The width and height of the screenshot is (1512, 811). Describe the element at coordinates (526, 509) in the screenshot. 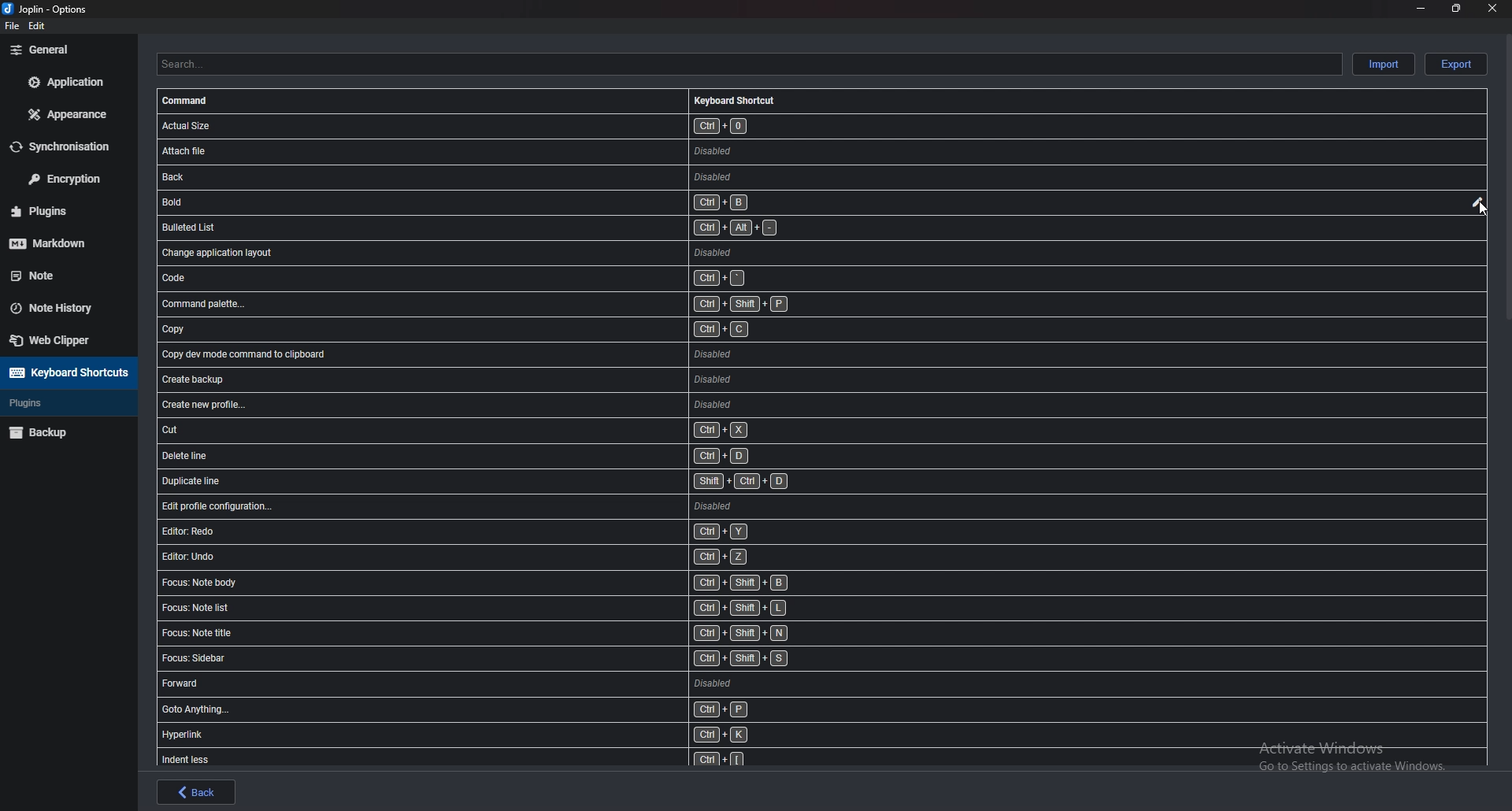

I see `shortcut` at that location.